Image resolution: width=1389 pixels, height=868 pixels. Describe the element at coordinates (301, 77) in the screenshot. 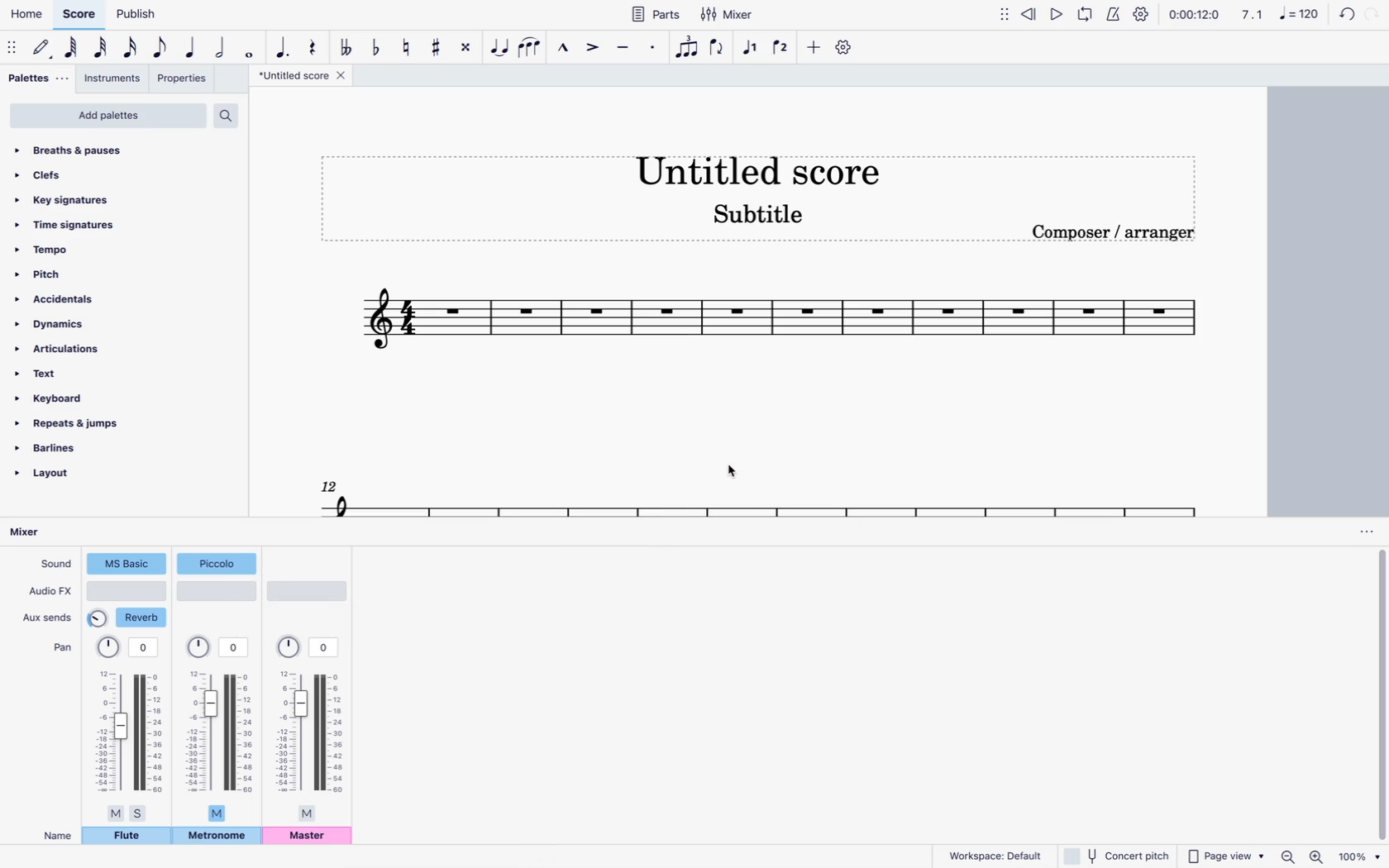

I see `score title` at that location.